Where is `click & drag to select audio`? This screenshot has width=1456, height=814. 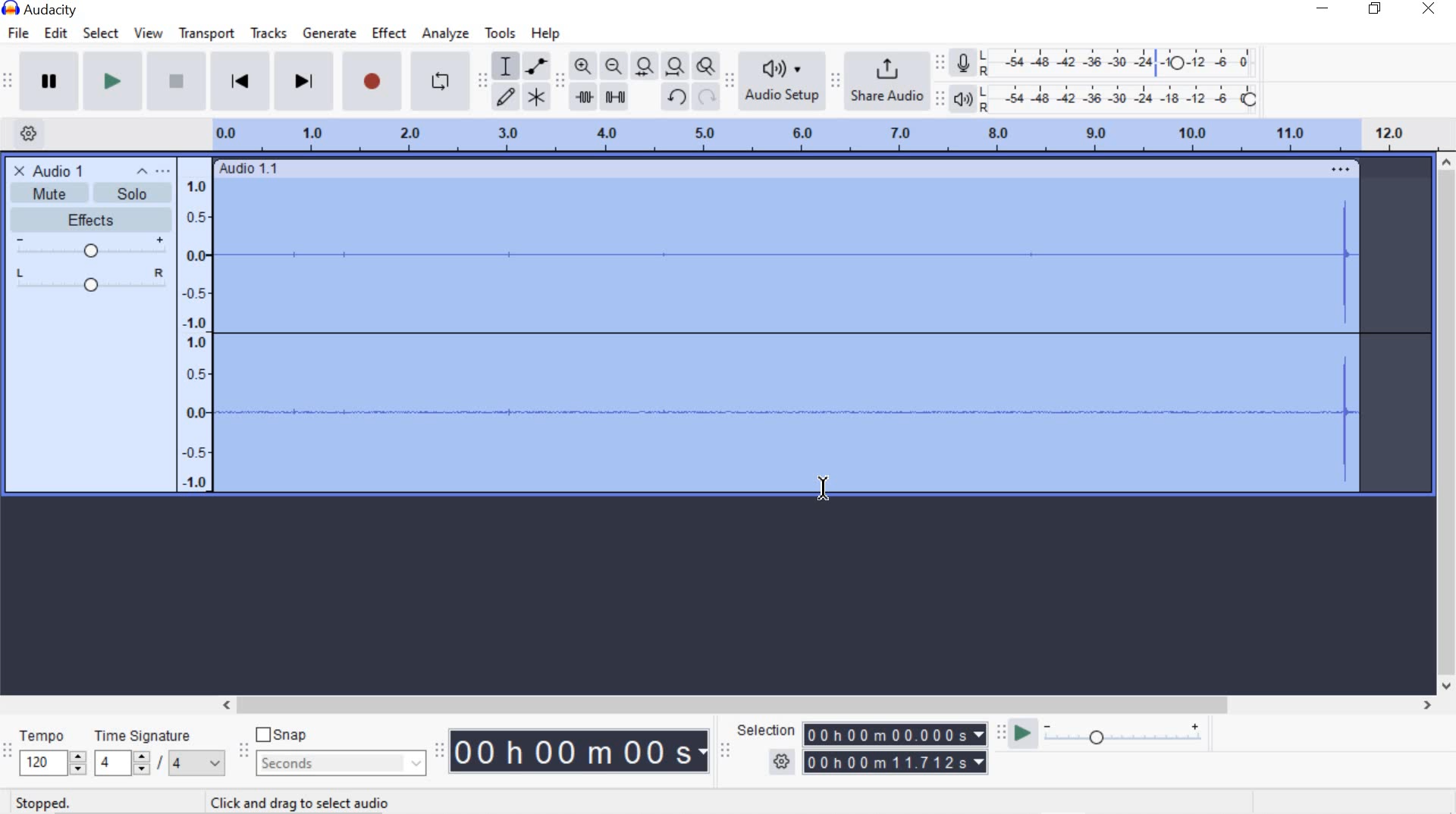 click & drag to select audio is located at coordinates (293, 801).